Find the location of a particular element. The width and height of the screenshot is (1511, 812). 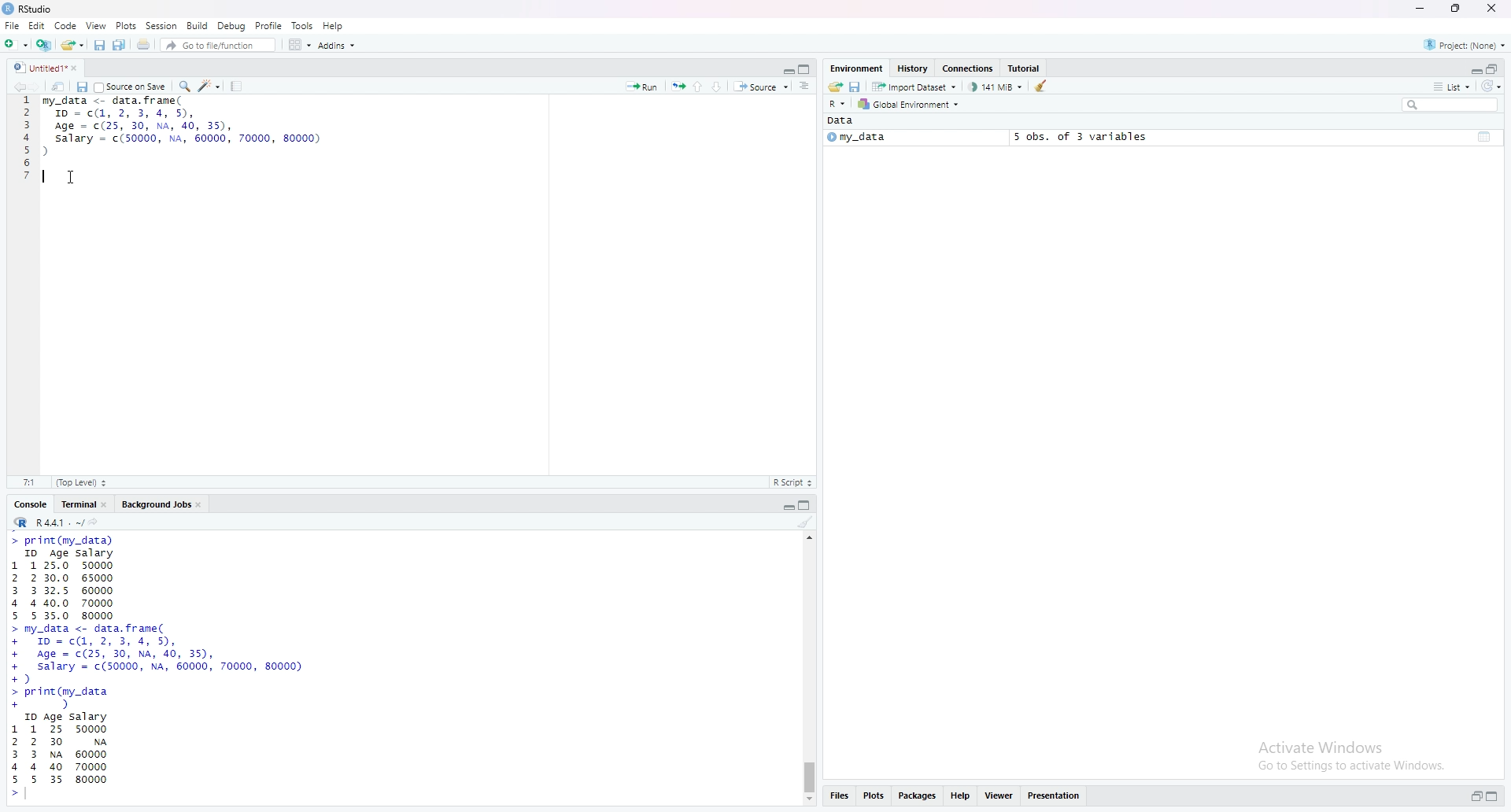

Session is located at coordinates (163, 25).